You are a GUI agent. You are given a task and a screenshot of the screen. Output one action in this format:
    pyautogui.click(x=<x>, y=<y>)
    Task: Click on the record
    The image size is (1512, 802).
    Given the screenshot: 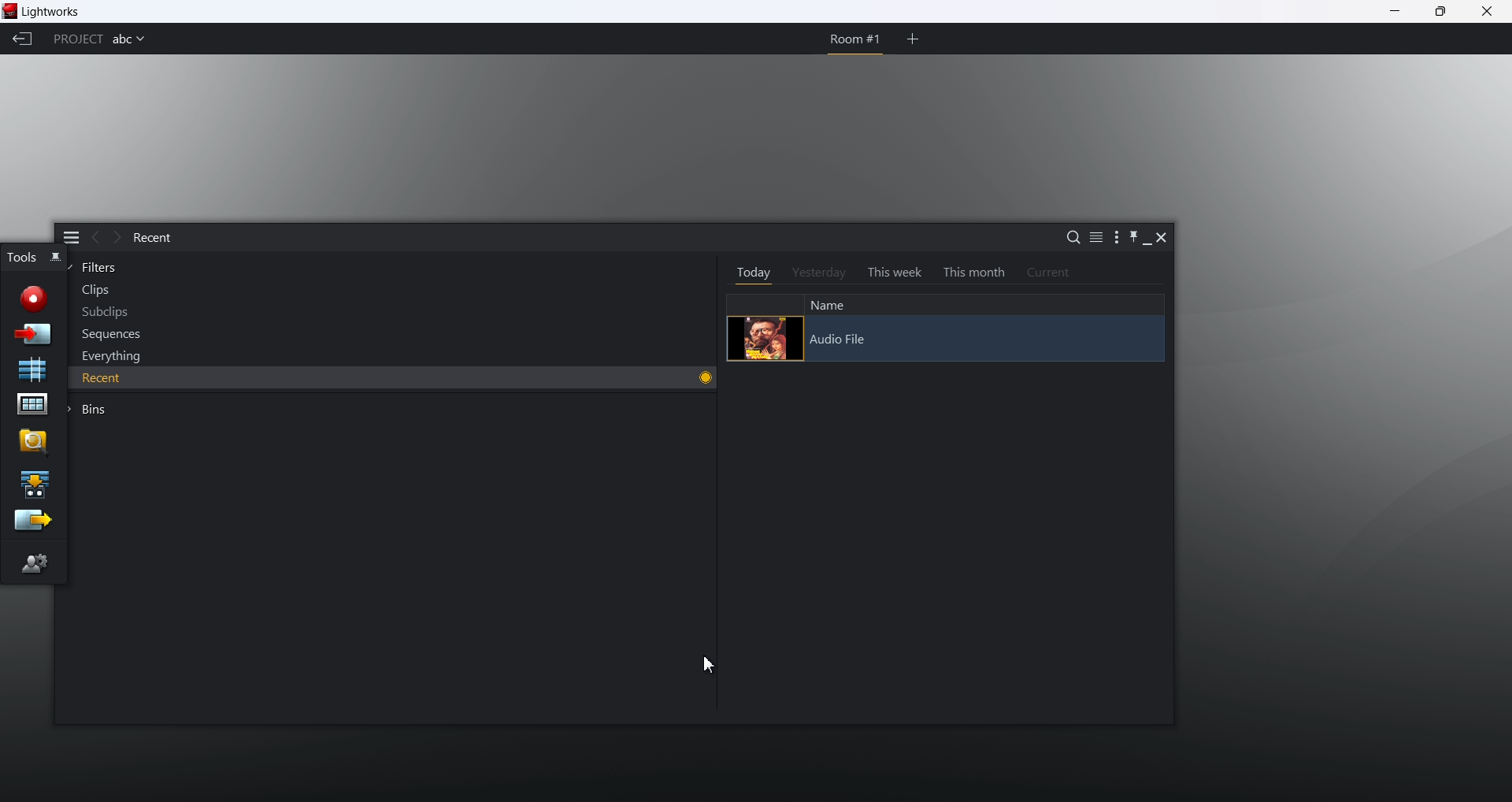 What is the action you would take?
    pyautogui.click(x=33, y=295)
    